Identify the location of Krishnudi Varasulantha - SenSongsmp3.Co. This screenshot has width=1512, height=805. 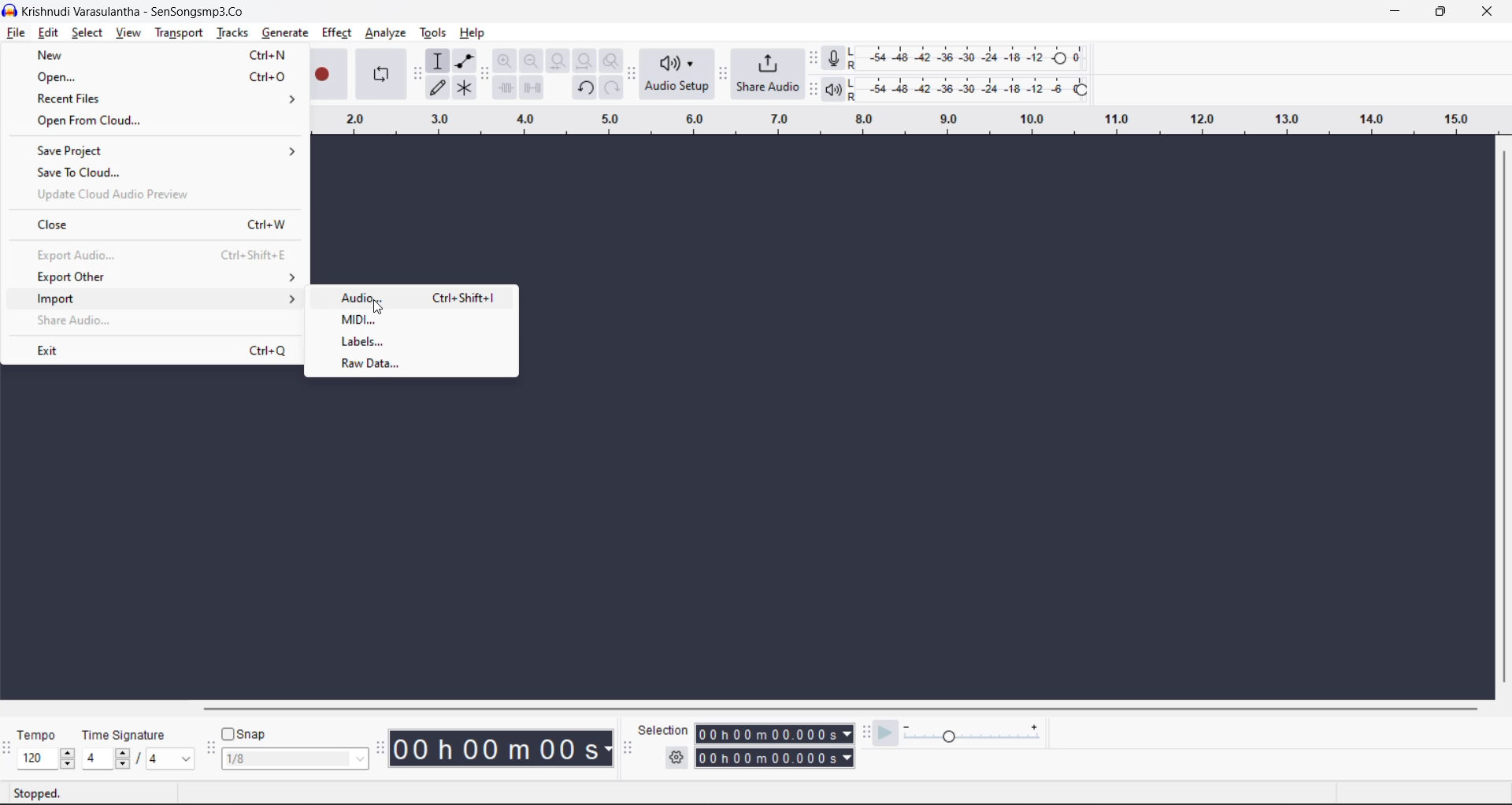
(131, 12).